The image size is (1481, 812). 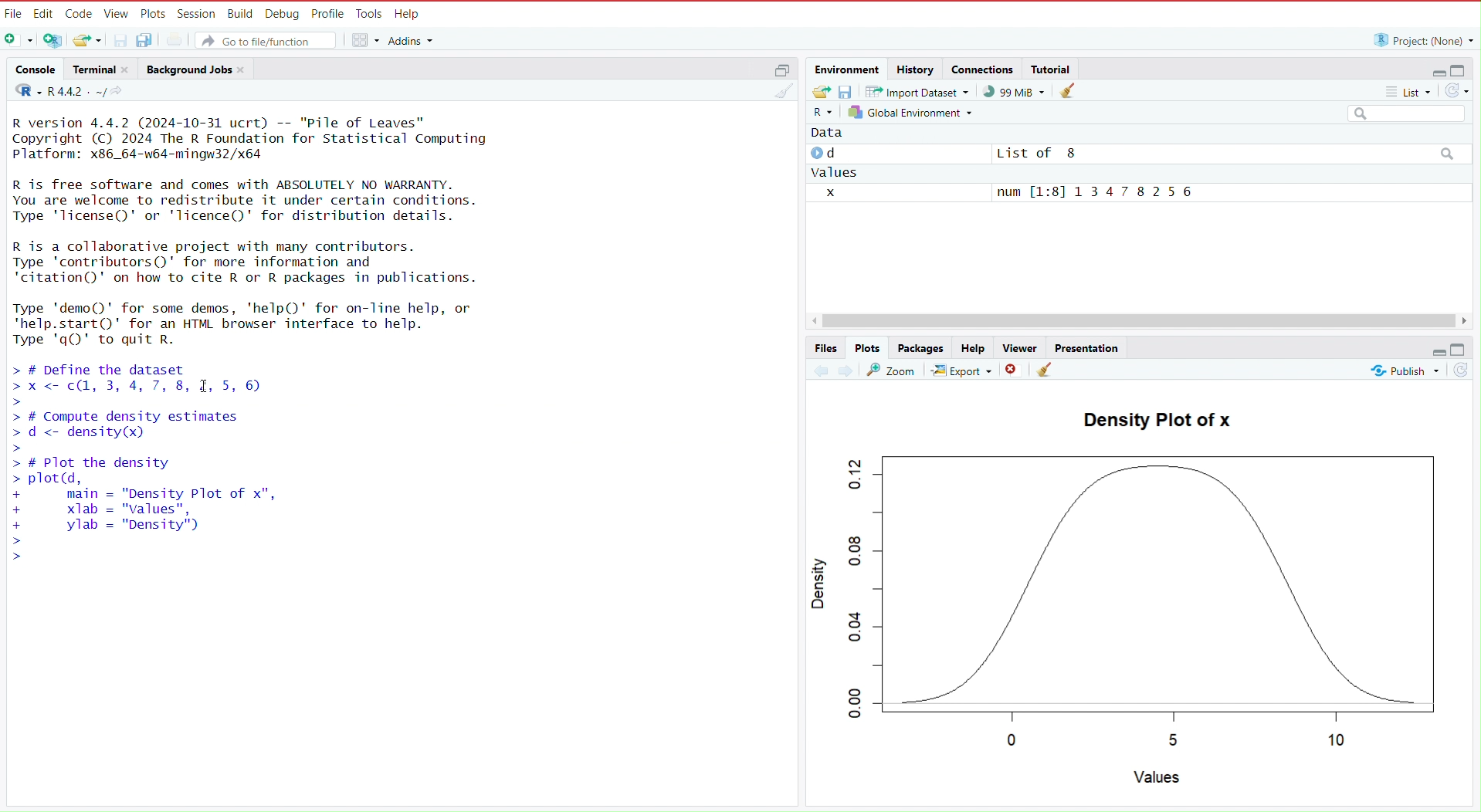 I want to click on files, so click(x=826, y=347).